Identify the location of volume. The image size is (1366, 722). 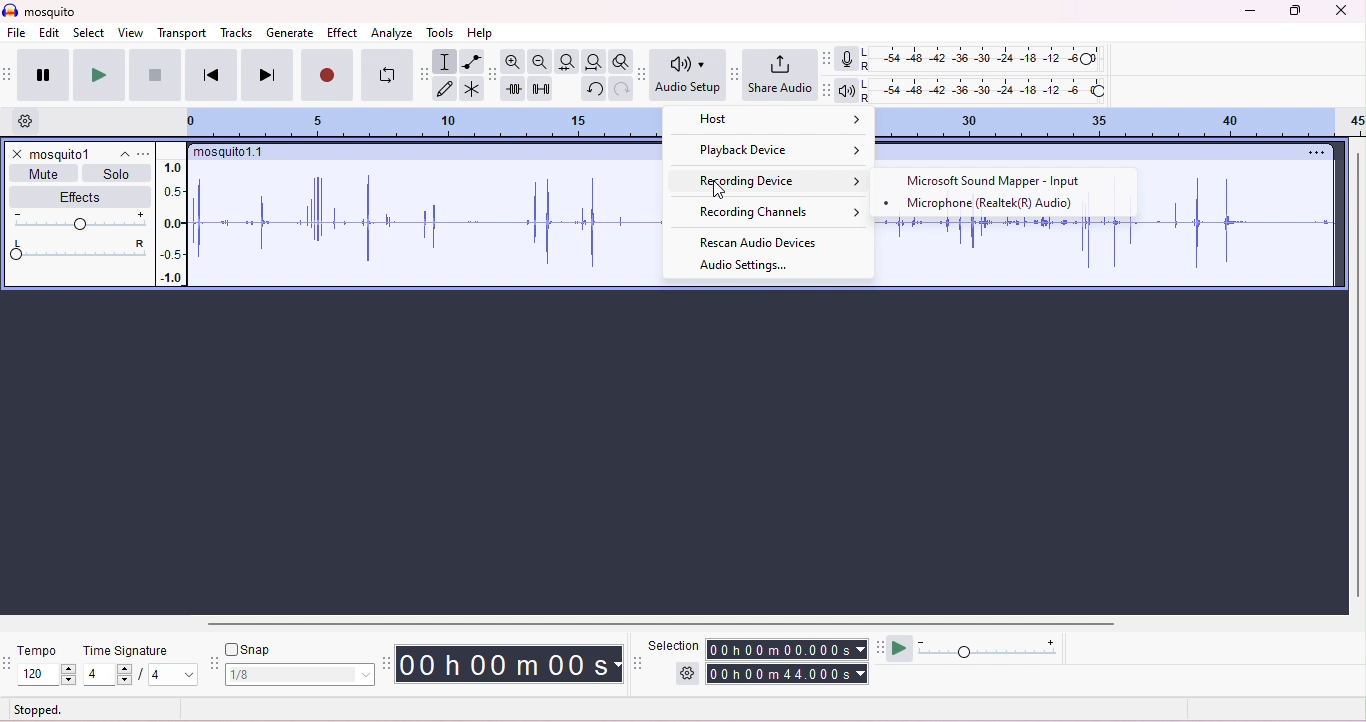
(77, 220).